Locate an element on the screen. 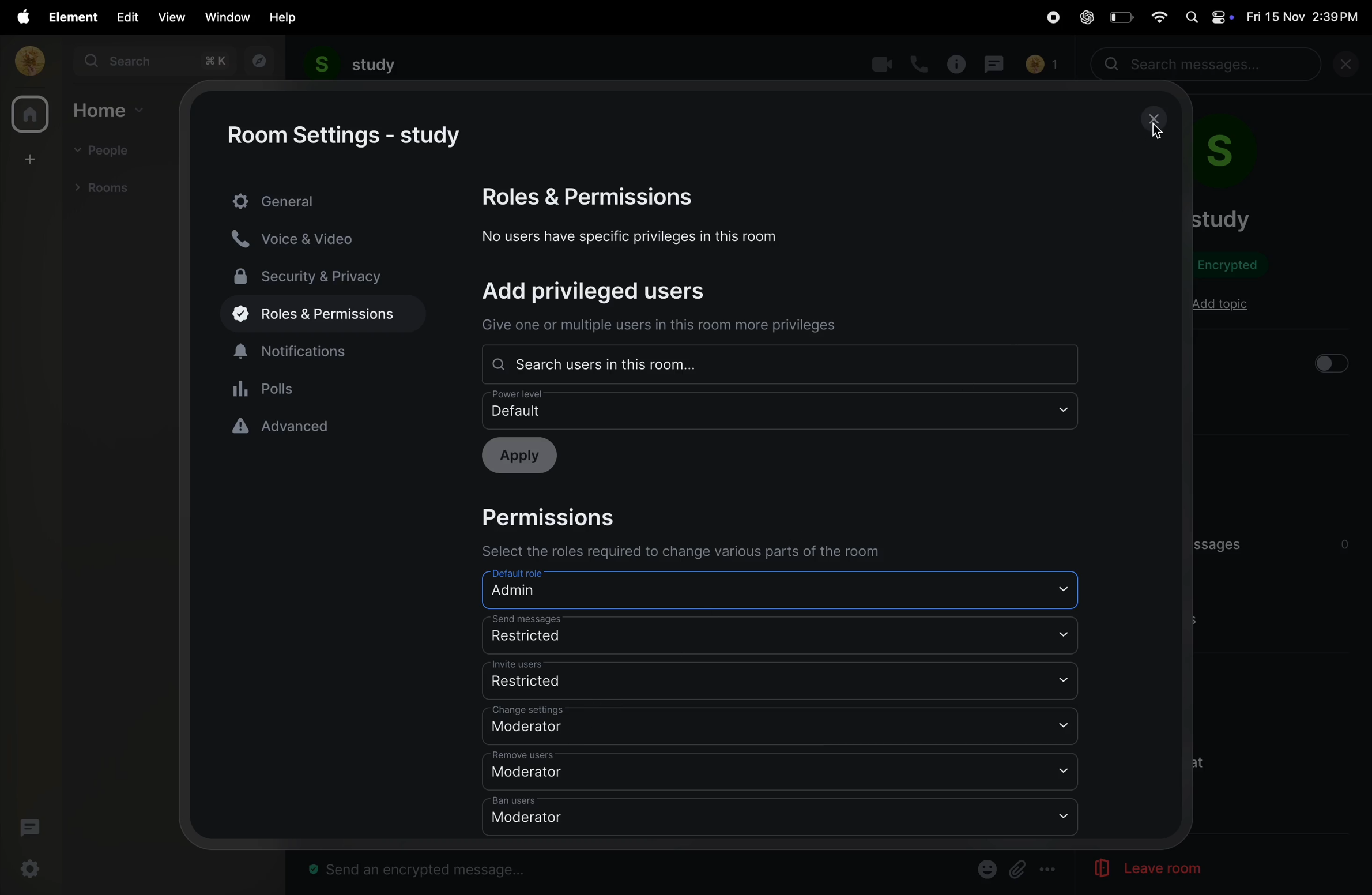 The image size is (1372, 895). Roles and permissions is located at coordinates (592, 198).